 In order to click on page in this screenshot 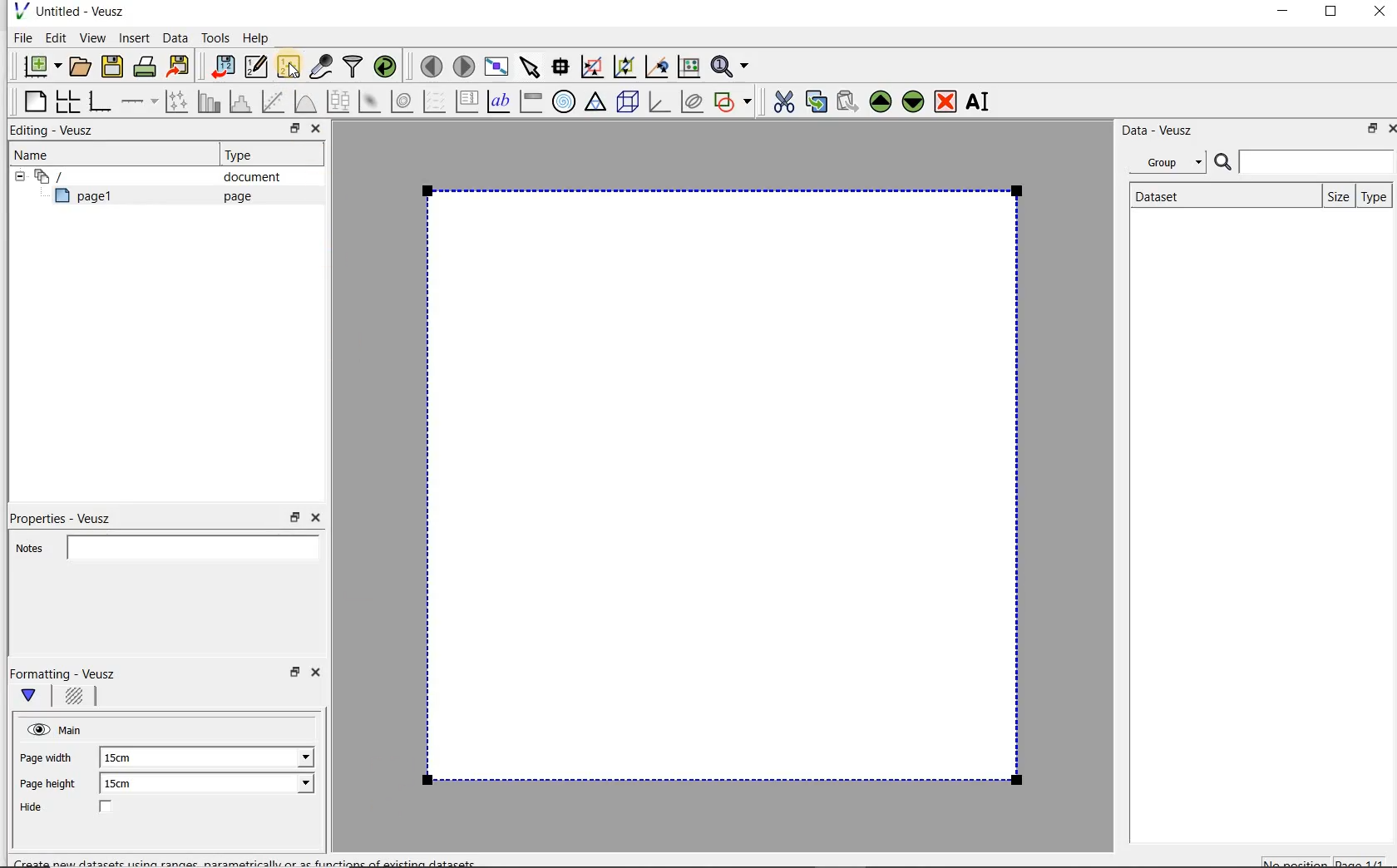, I will do `click(234, 196)`.